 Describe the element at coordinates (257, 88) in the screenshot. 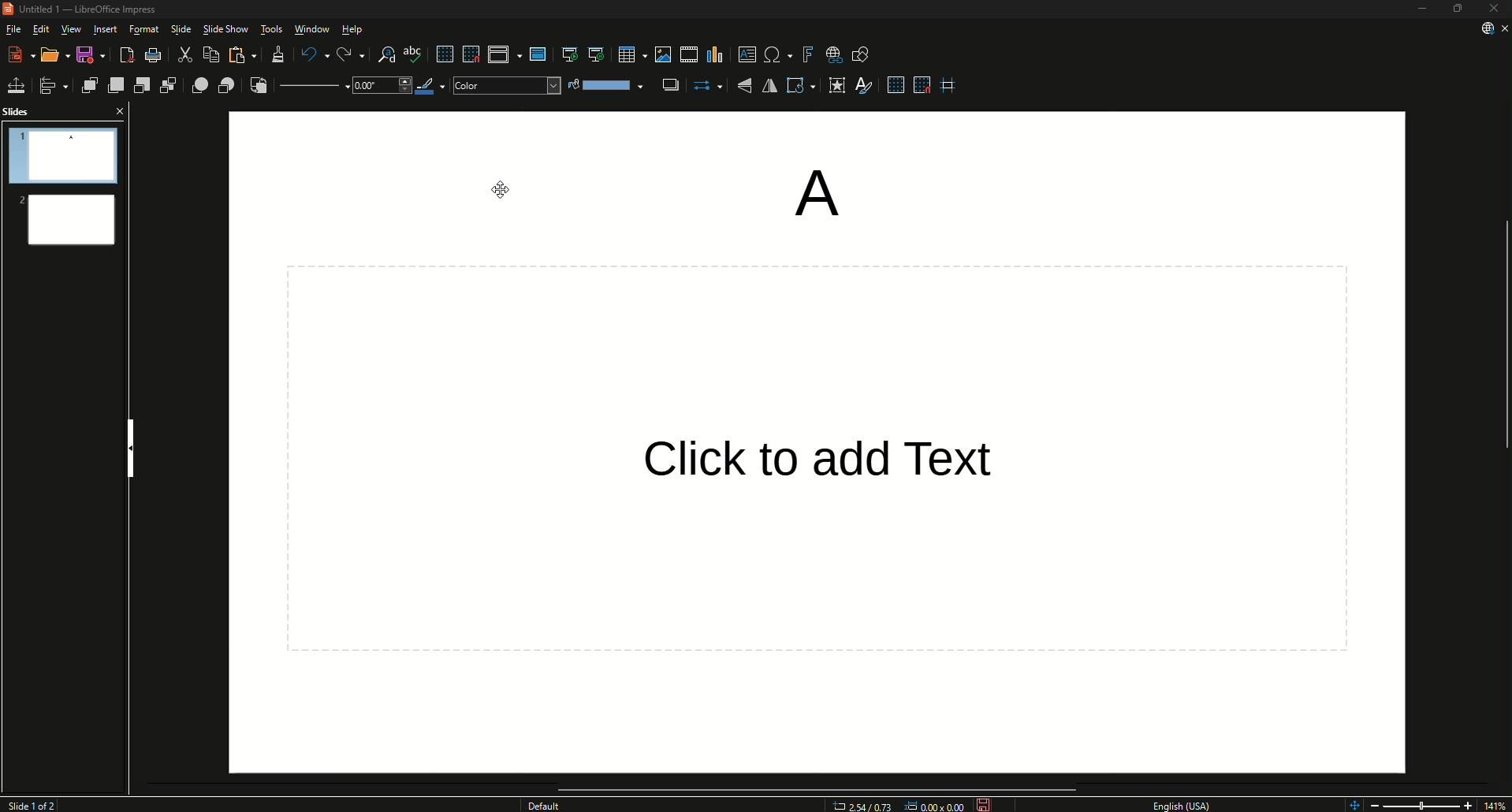

I see `Reverse` at that location.